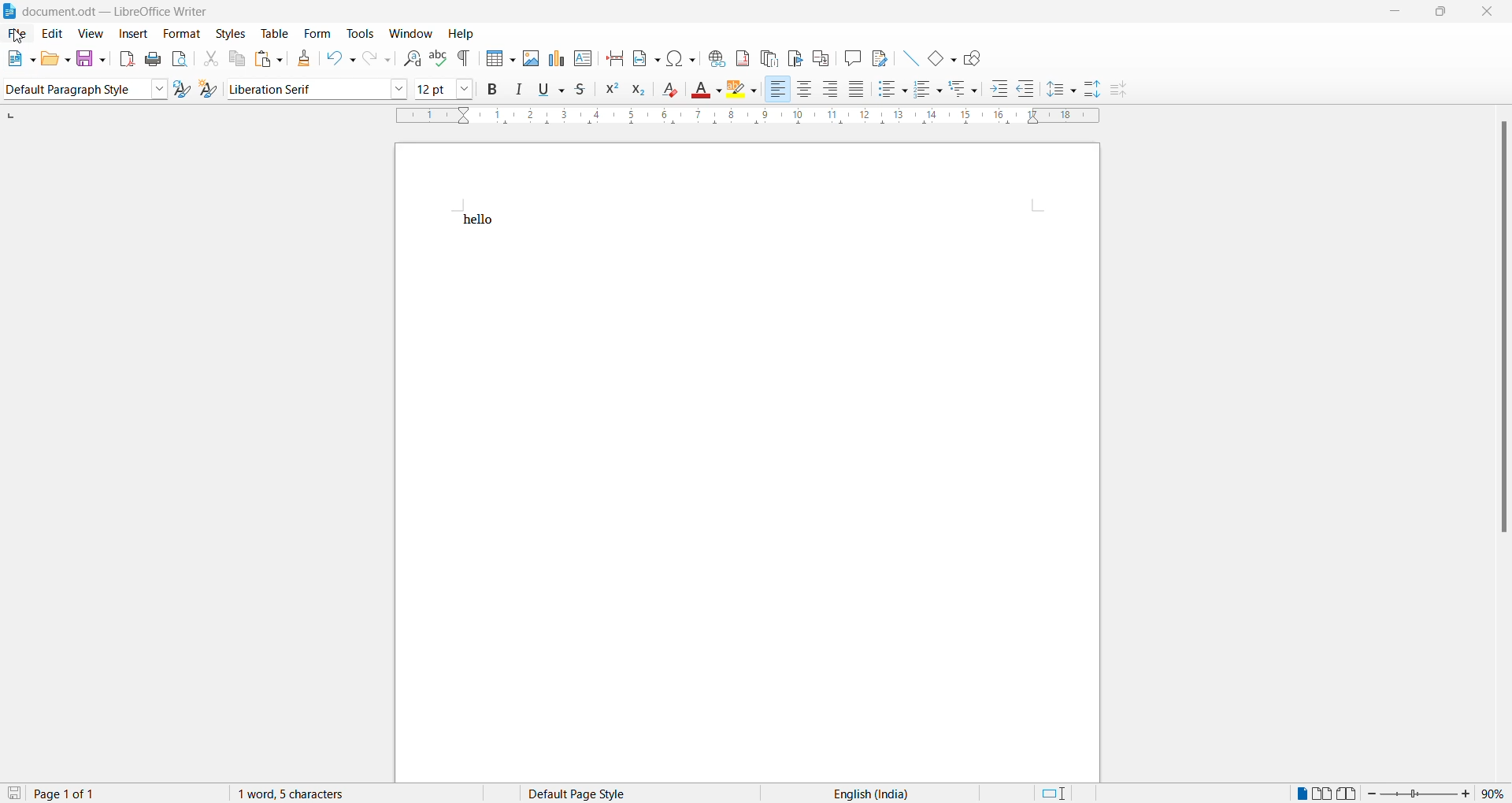 The width and height of the screenshot is (1512, 803). Describe the element at coordinates (747, 117) in the screenshot. I see `ruler` at that location.